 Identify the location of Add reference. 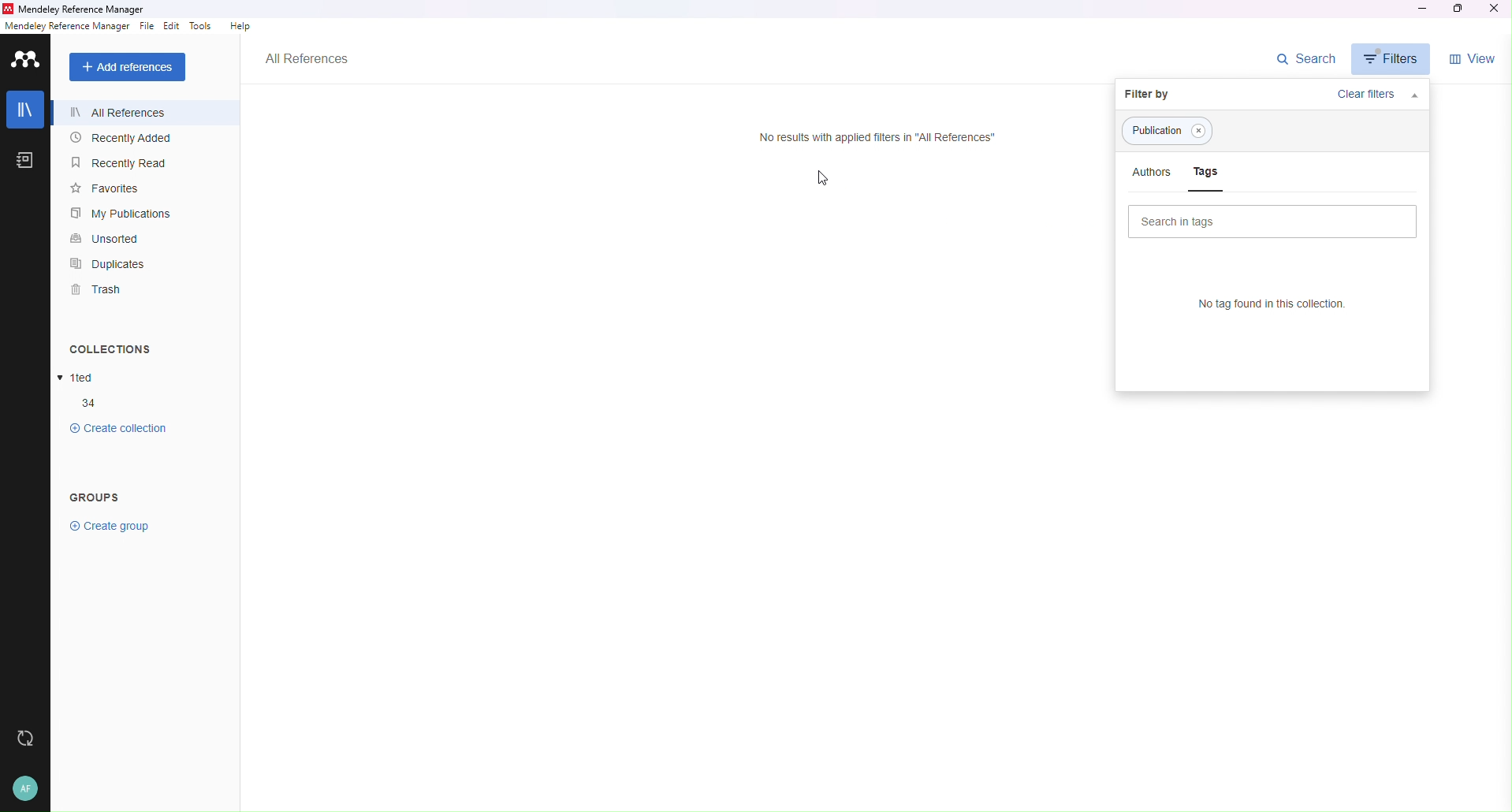
(131, 67).